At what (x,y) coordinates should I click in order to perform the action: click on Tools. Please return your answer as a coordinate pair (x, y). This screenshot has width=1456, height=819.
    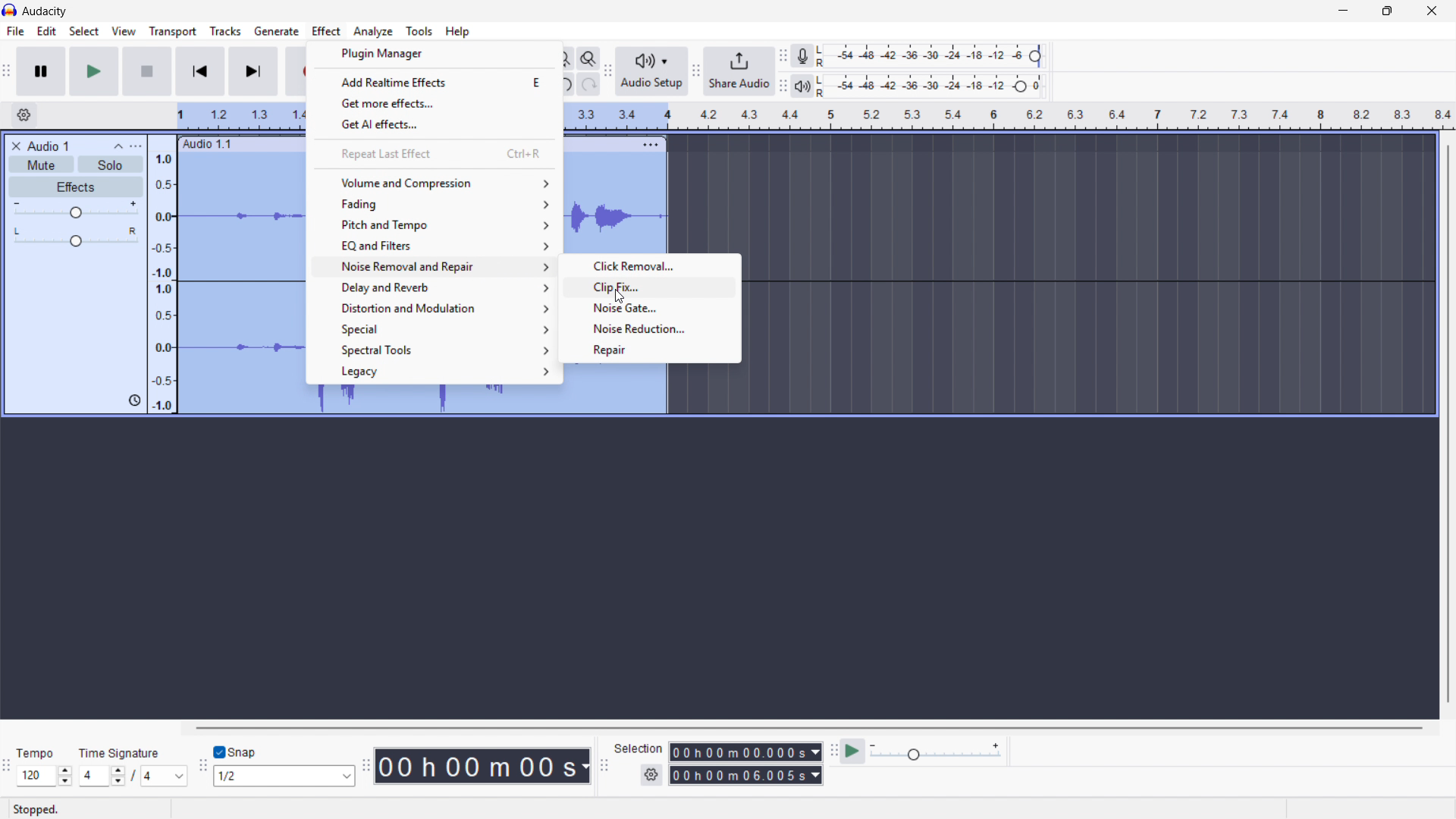
    Looking at the image, I should click on (419, 31).